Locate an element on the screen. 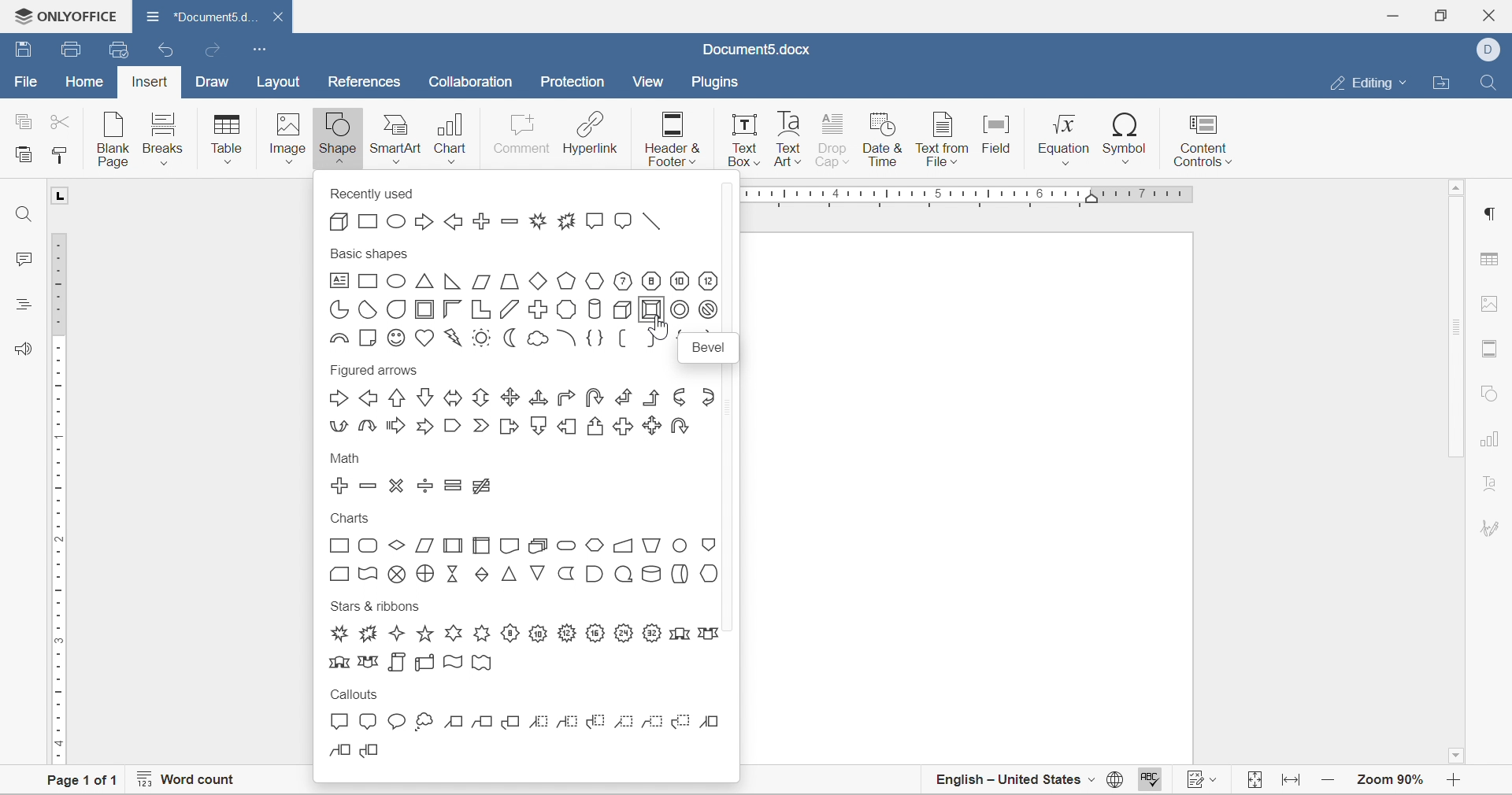  spell checking is located at coordinates (1148, 780).